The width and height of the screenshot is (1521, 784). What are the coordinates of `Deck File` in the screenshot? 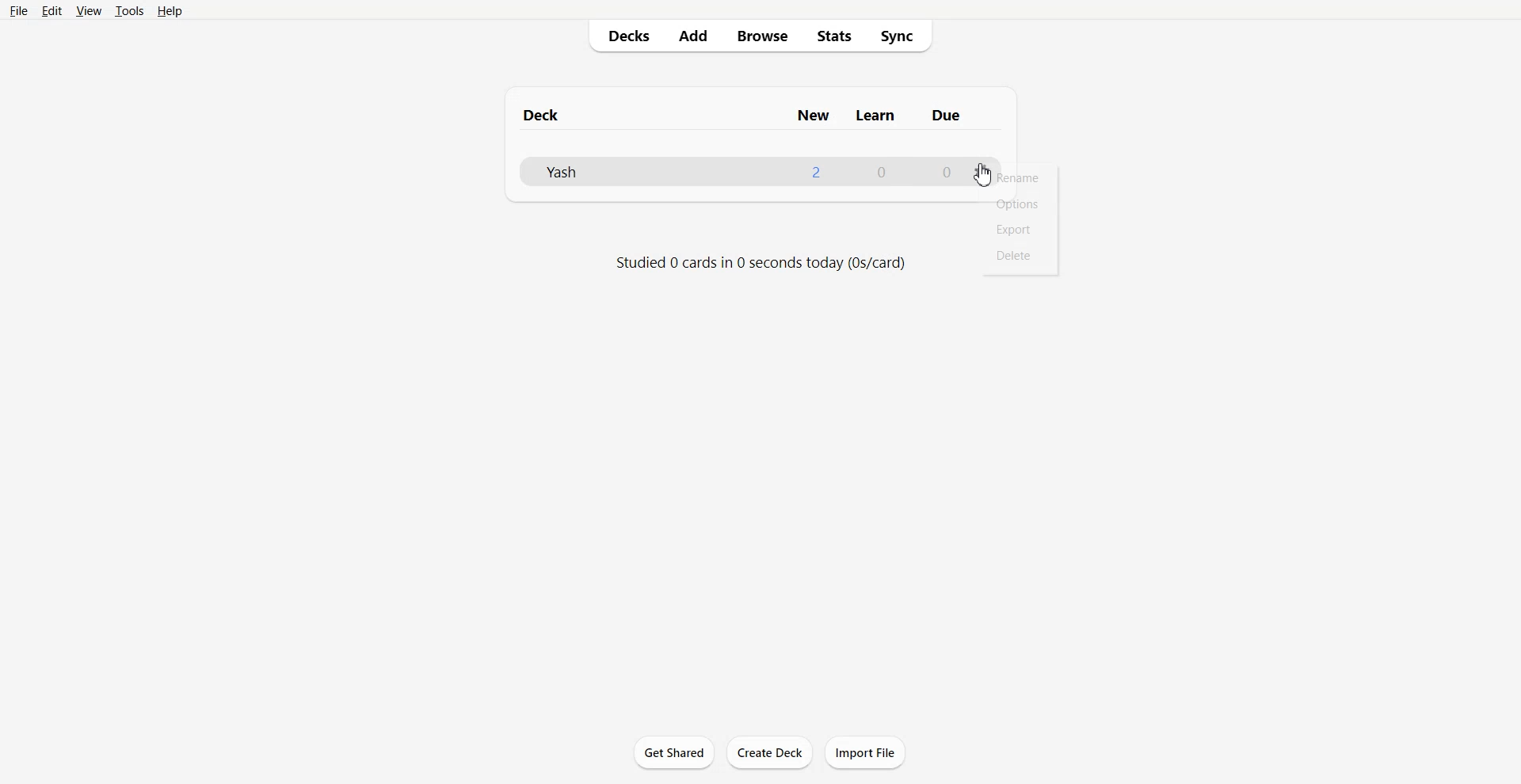 It's located at (608, 172).